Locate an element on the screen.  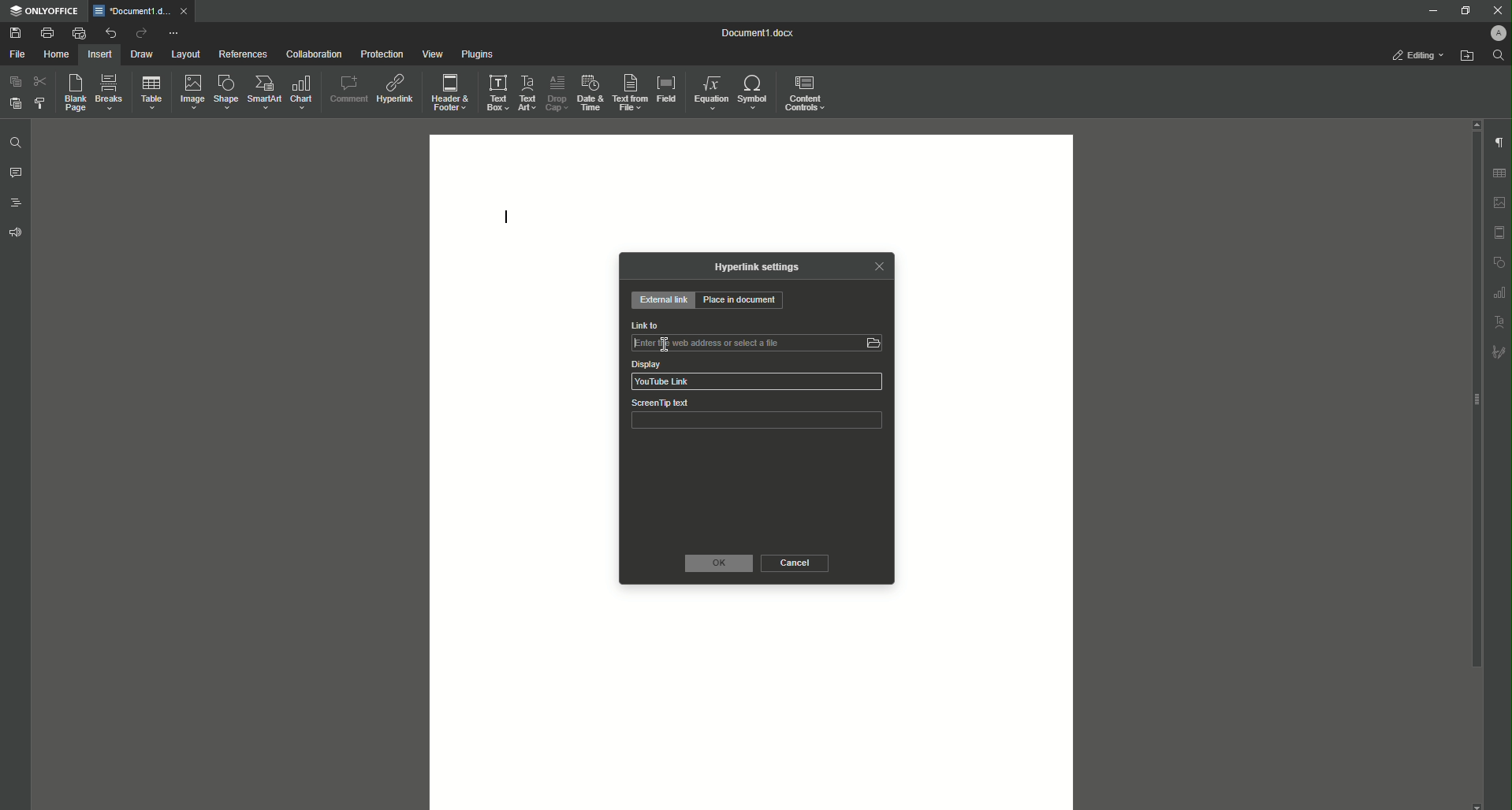
Collaboration is located at coordinates (314, 54).